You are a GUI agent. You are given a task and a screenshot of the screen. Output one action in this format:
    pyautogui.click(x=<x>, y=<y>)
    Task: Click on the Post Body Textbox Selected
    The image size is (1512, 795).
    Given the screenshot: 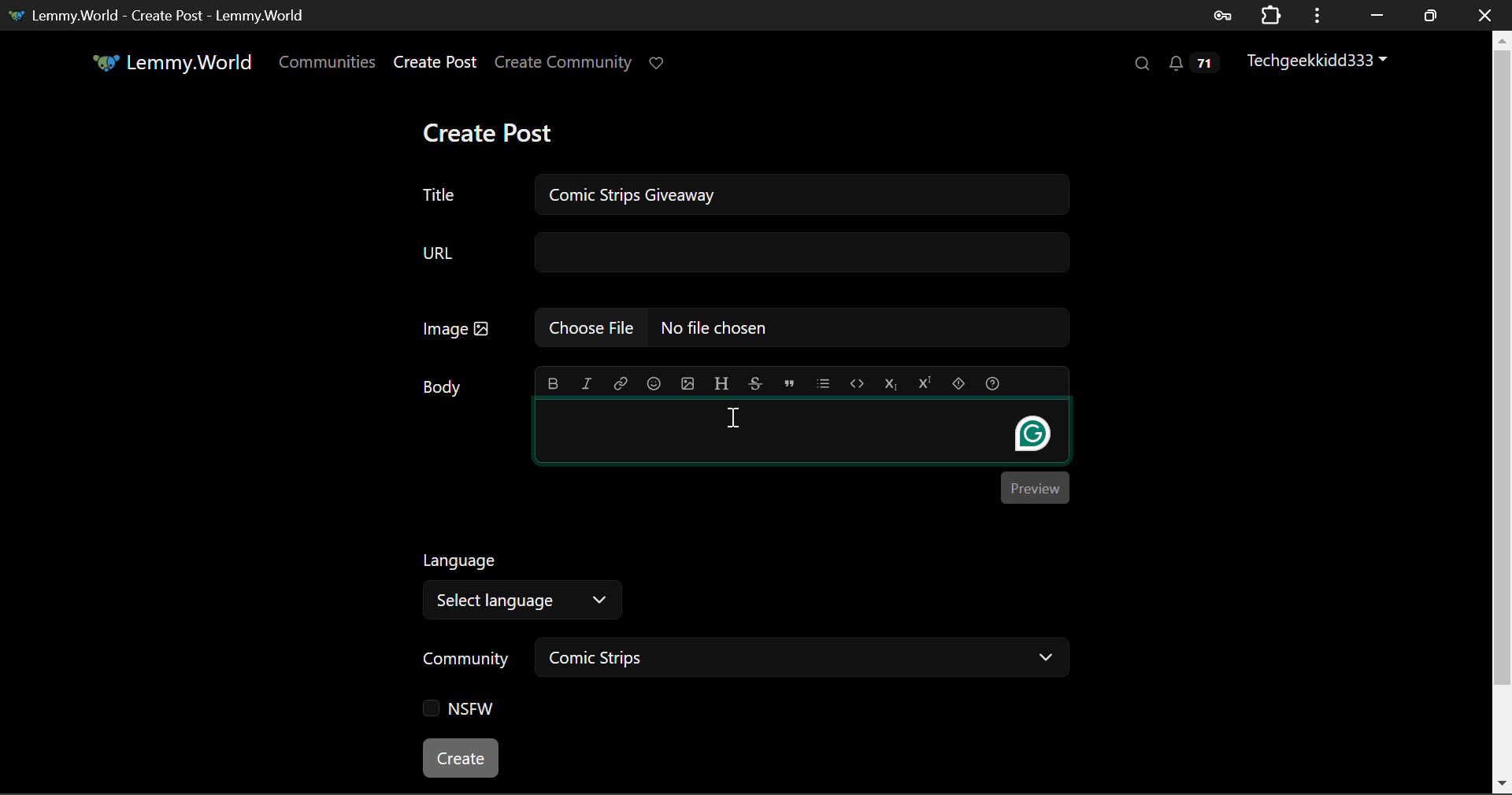 What is the action you would take?
    pyautogui.click(x=802, y=431)
    